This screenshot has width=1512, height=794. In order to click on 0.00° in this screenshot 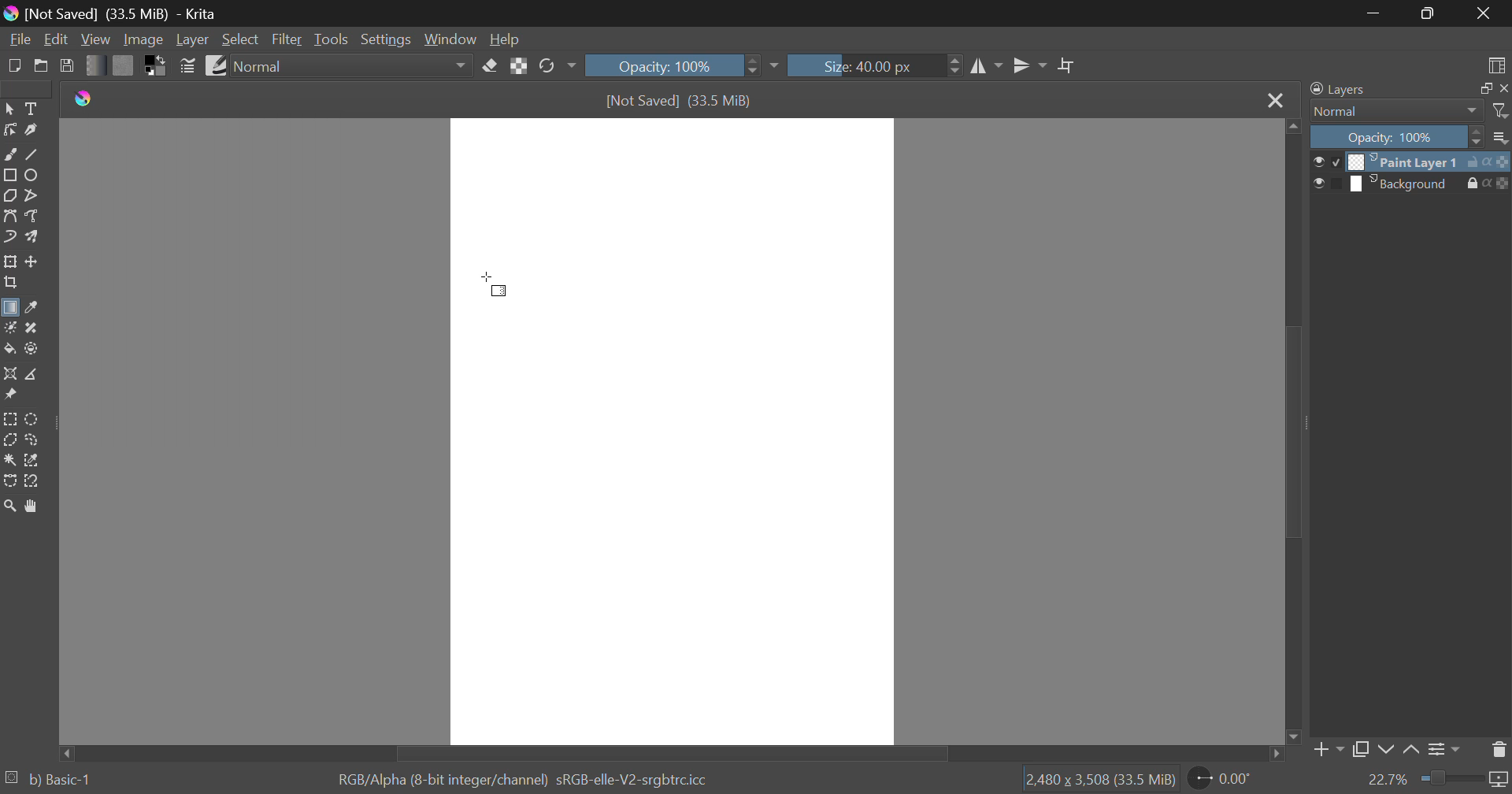, I will do `click(1229, 777)`.